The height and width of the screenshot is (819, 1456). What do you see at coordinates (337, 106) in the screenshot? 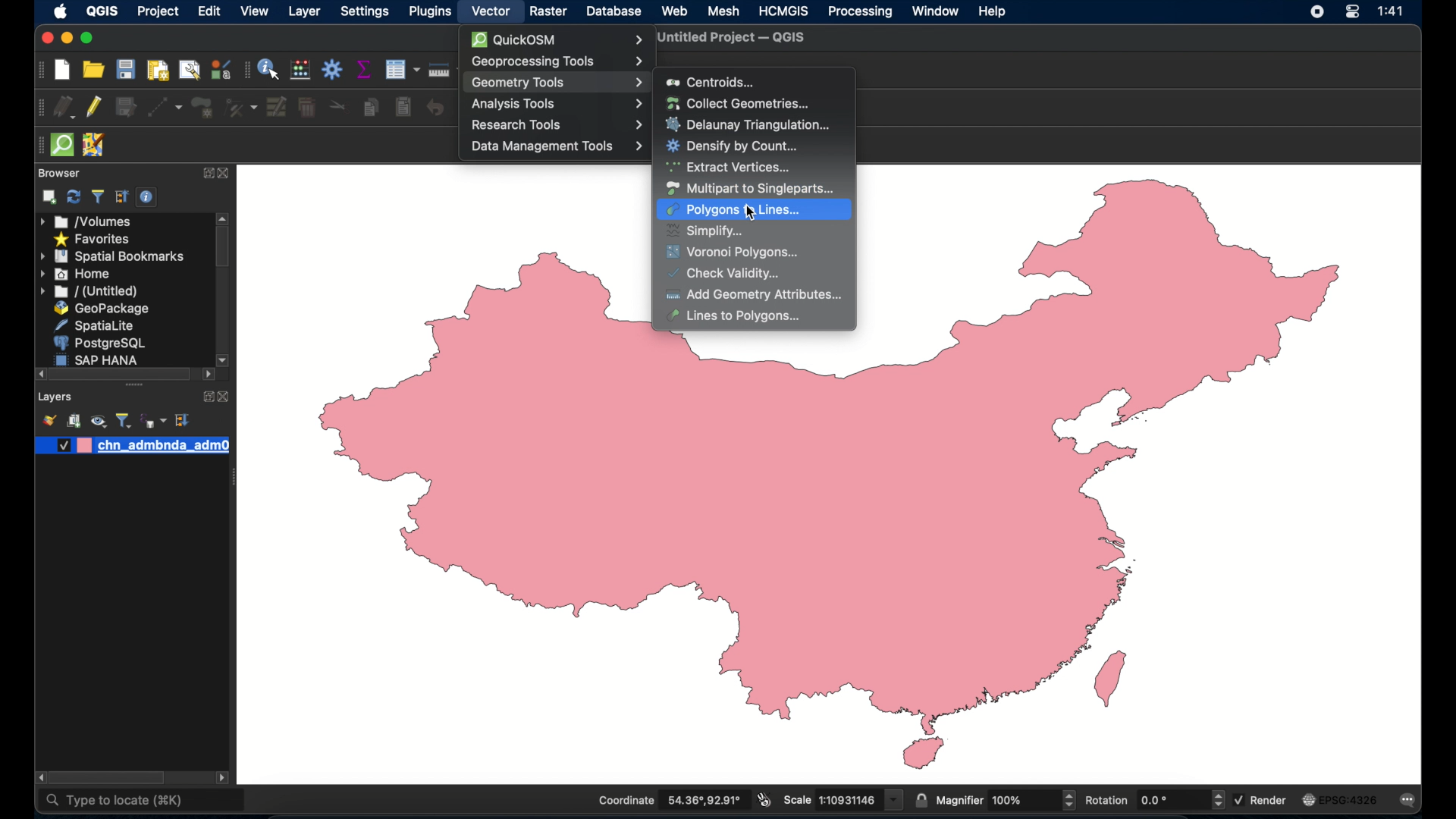
I see `cut features` at bounding box center [337, 106].